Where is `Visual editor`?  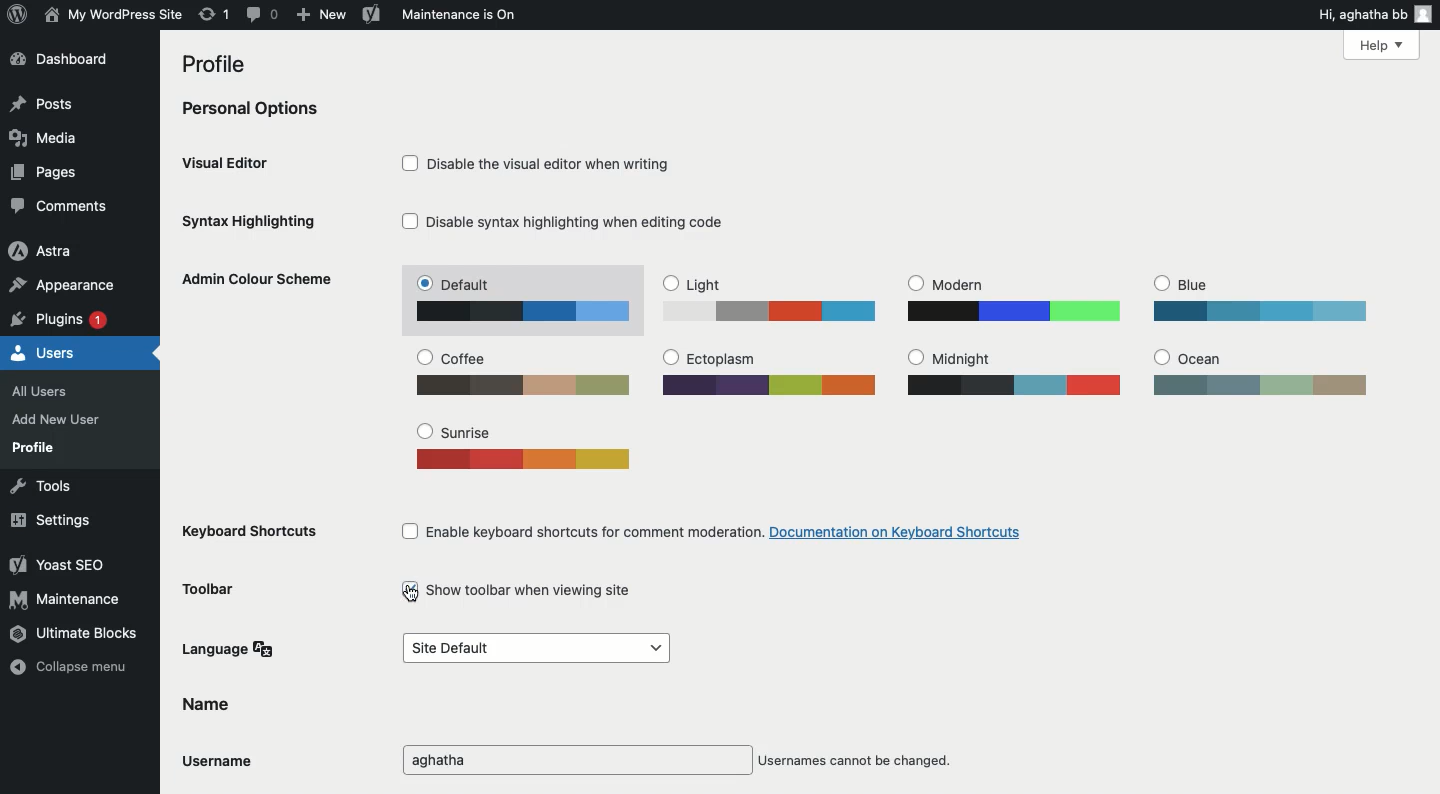 Visual editor is located at coordinates (235, 162).